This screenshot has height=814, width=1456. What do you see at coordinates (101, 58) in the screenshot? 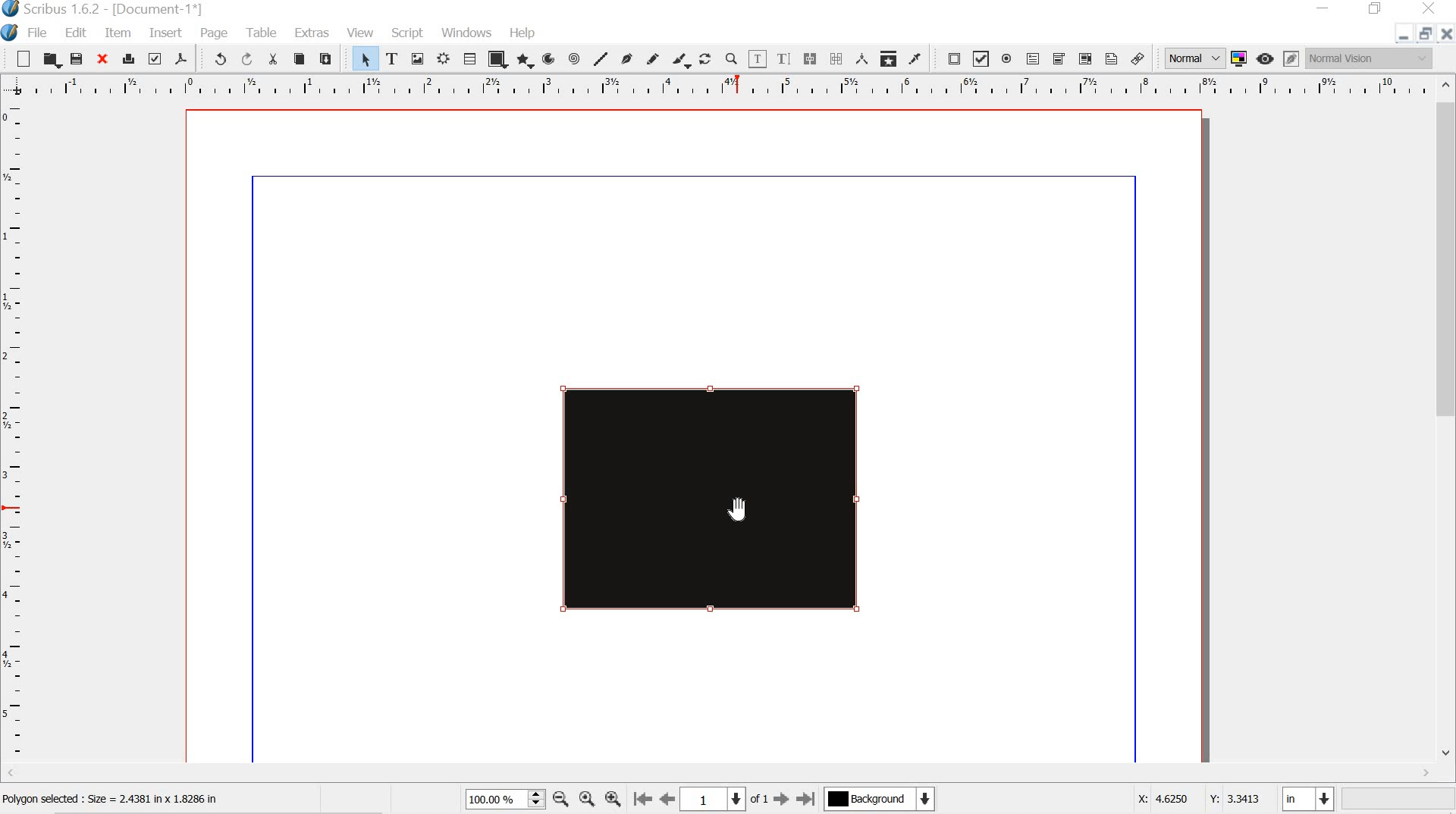
I see `close` at bounding box center [101, 58].